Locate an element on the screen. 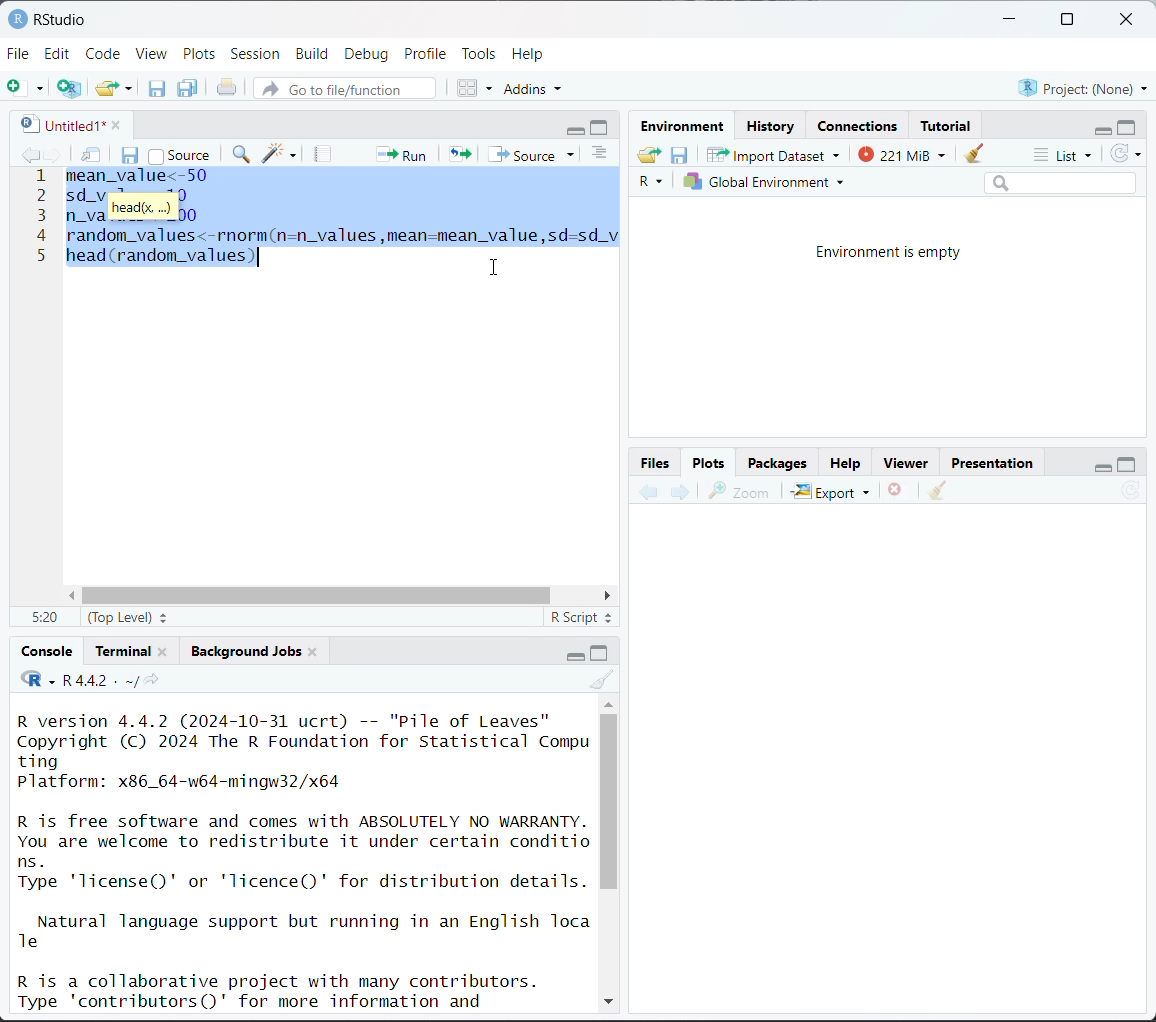 The width and height of the screenshot is (1156, 1022). R version 4.4.2 (2024-10-31 ucrt) -- "Pile of Leaves"

Copyright (C) 2024 The R Foundation for Statistical Compu

ting

Platform: x86_64-w64-mingw32/x64

R is free software and comes with ABSOLUTELY NO WARRANTY.

You are welcome to redistribute it under certain conditio

ns.

Type 'license()' or 'licence()' for distribution details.
Natural language support but running in an English Toca

Te

R is a collaborative project with many contributors.

Type 'contributors()' for more information and is located at coordinates (305, 859).